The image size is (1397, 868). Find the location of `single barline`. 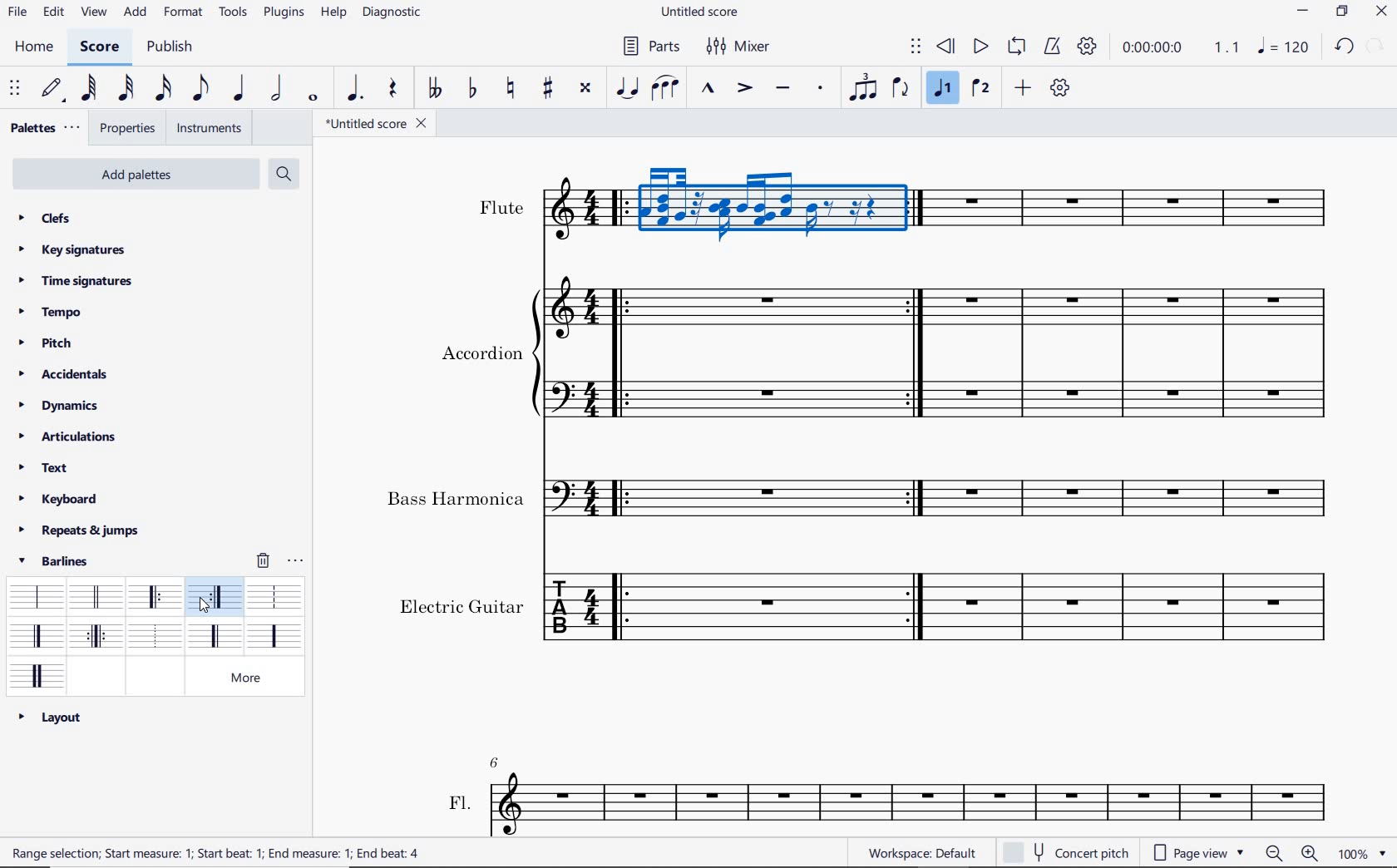

single barline is located at coordinates (34, 593).